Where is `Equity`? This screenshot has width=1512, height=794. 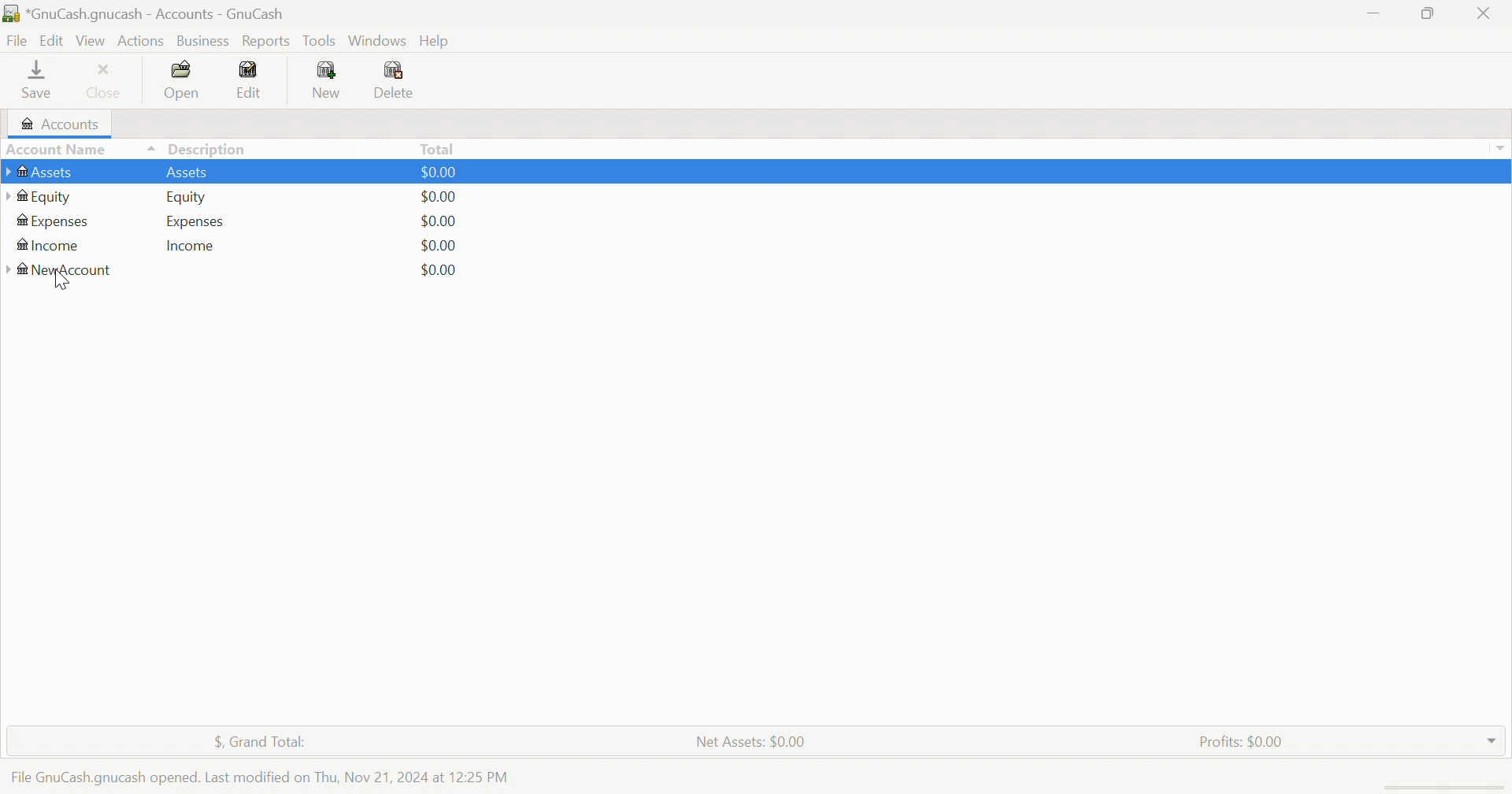
Equity is located at coordinates (188, 197).